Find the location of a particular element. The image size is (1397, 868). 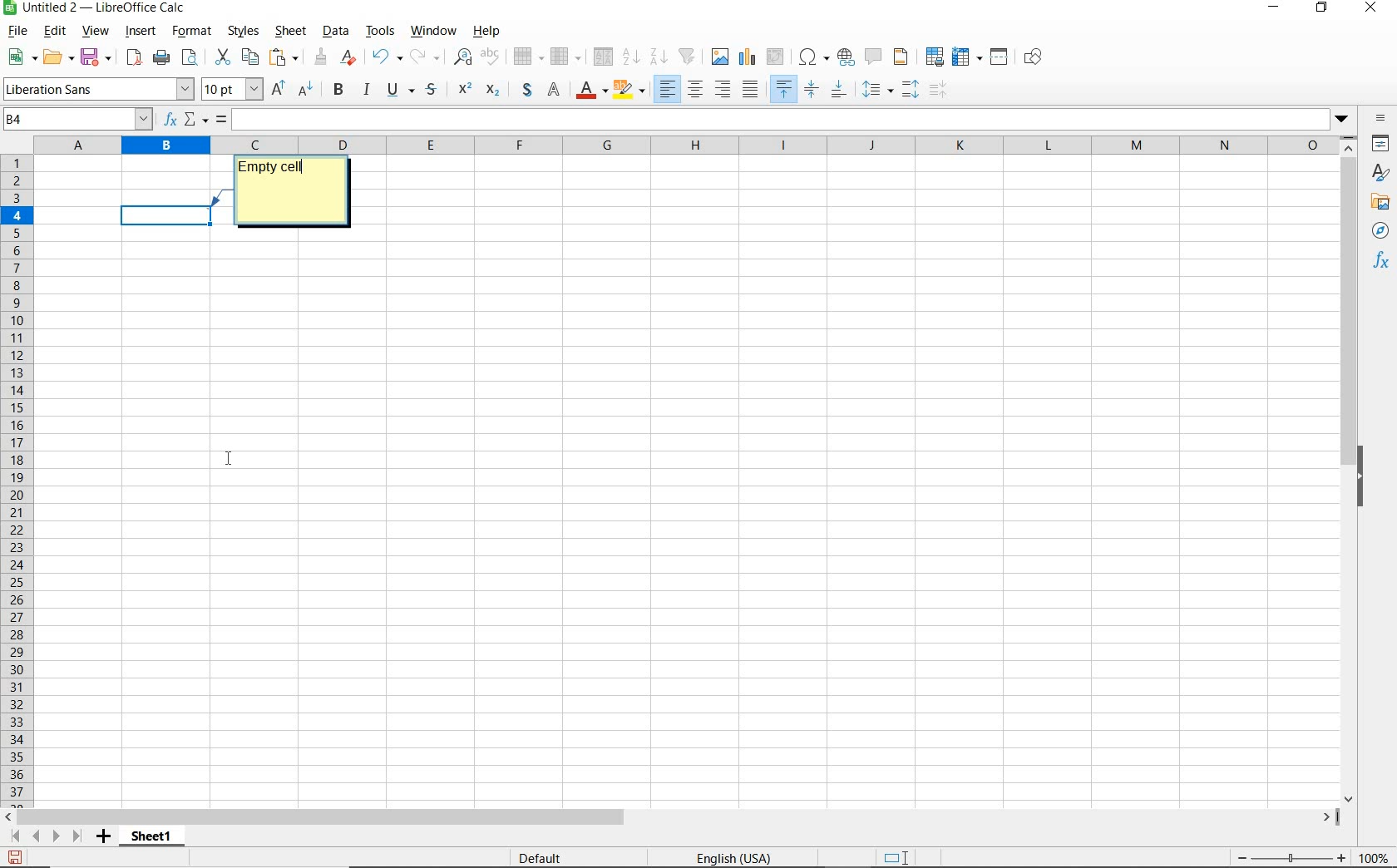

sheet1 is located at coordinates (155, 839).